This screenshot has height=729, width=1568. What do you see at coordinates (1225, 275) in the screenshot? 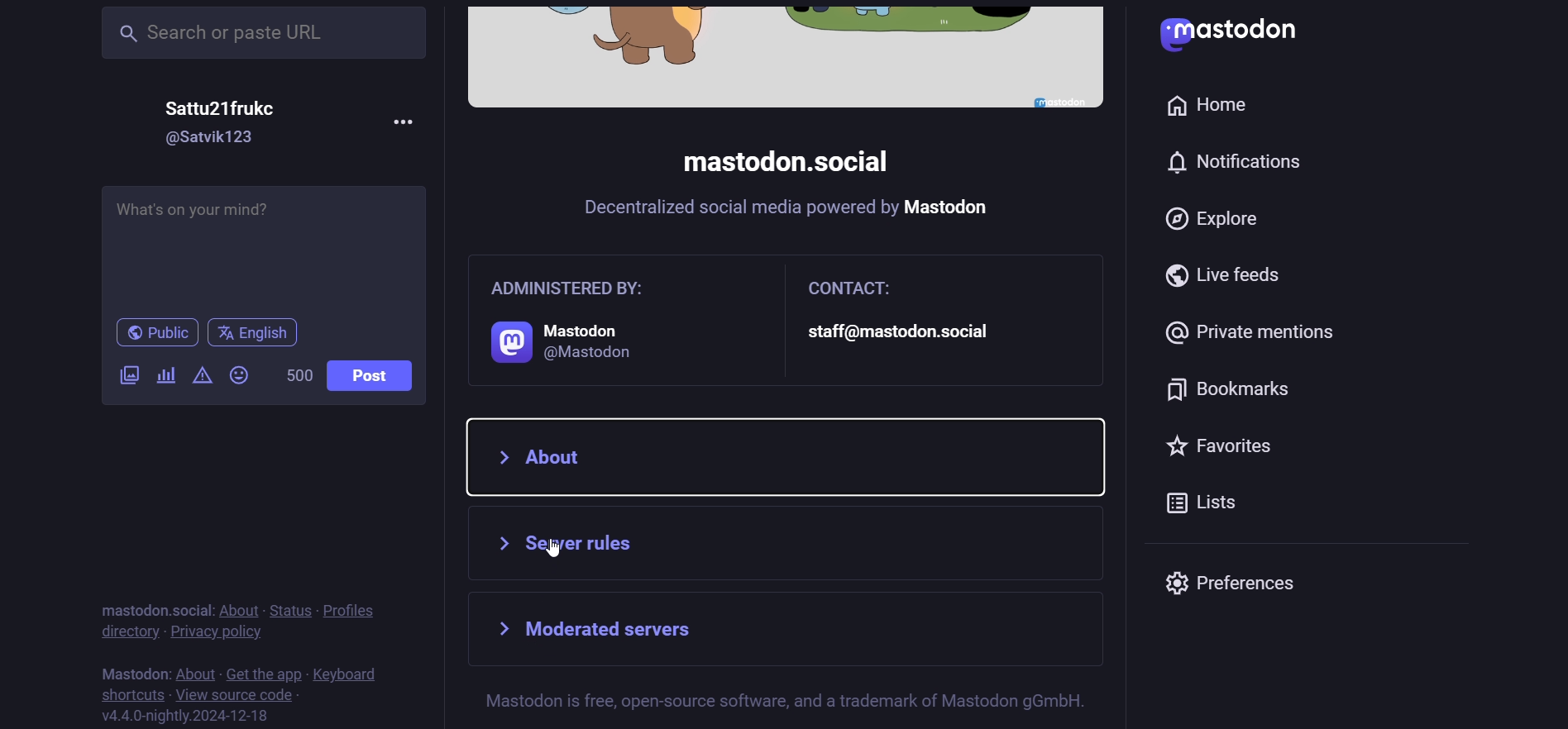
I see `live feed` at bounding box center [1225, 275].